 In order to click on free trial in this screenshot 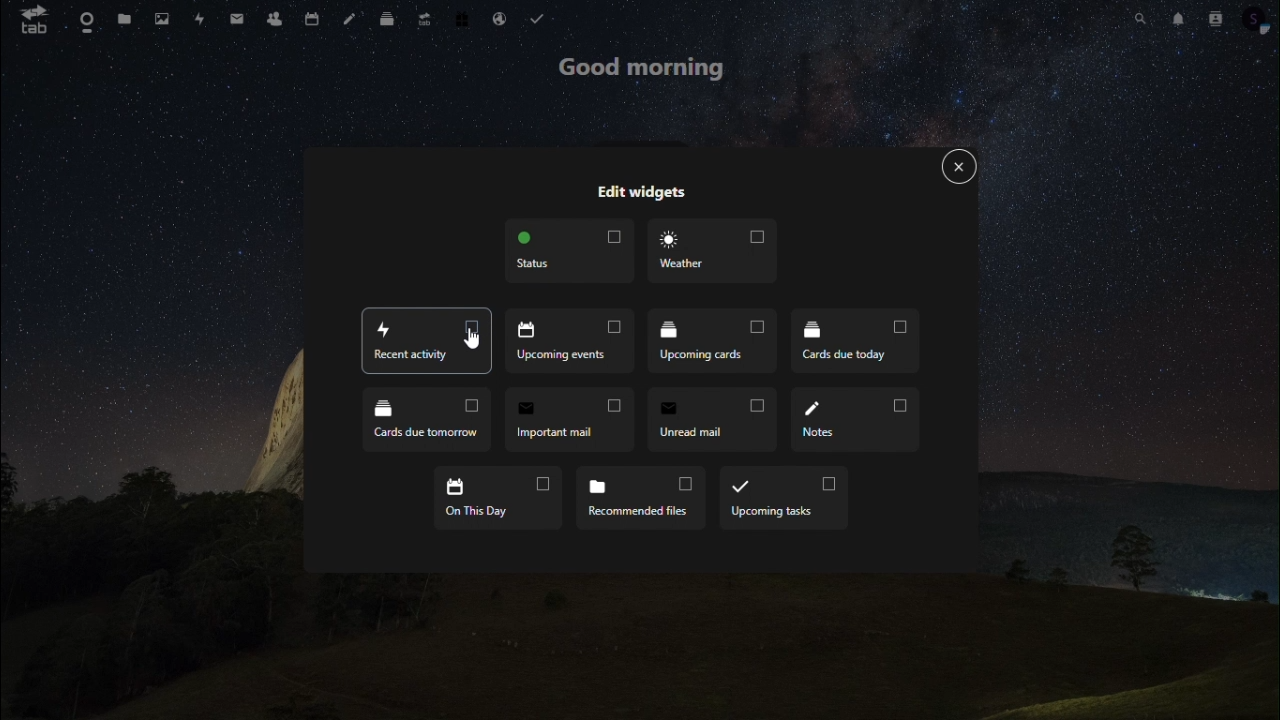, I will do `click(463, 27)`.